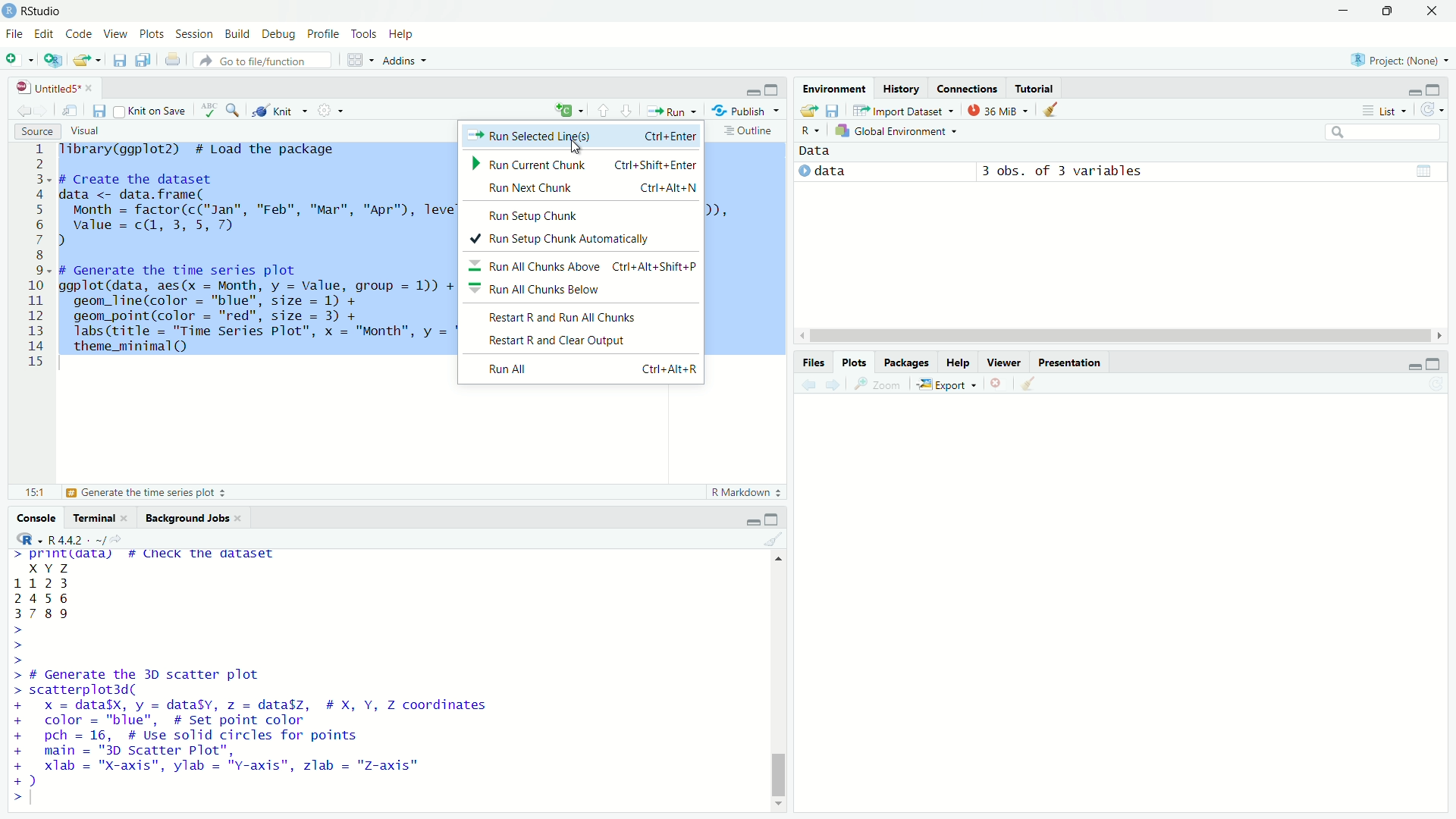 The image size is (1456, 819). What do you see at coordinates (1390, 11) in the screenshot?
I see `maximize` at bounding box center [1390, 11].